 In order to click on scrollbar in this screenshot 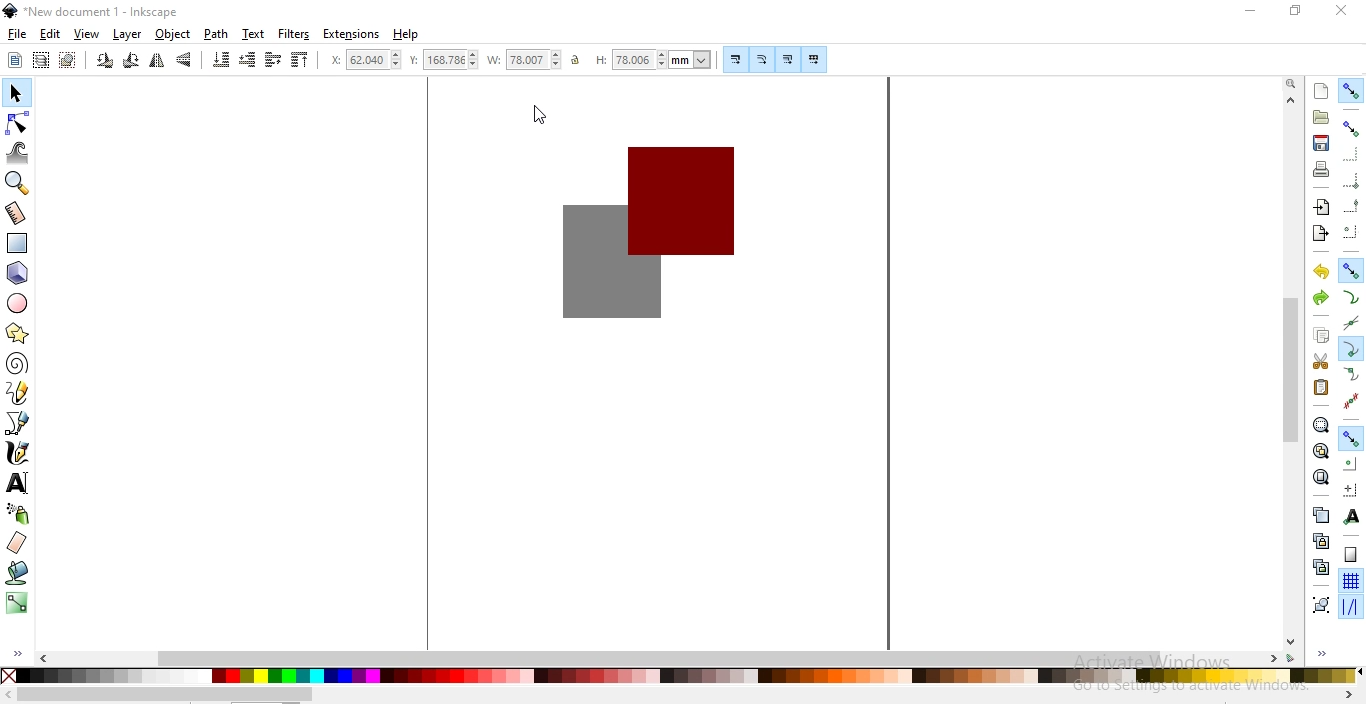, I will do `click(1292, 369)`.